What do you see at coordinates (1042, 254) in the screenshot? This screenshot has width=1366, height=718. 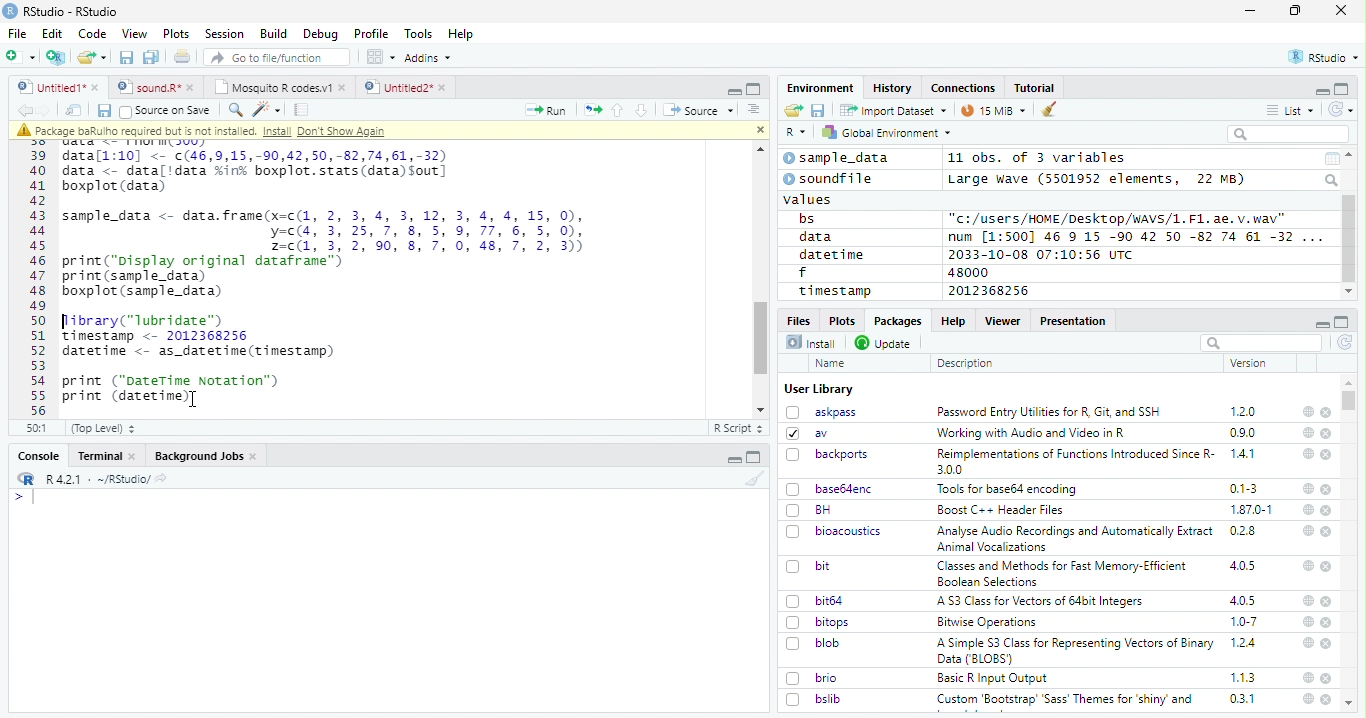 I see `2033-10-08 07:10:56 UTC` at bounding box center [1042, 254].